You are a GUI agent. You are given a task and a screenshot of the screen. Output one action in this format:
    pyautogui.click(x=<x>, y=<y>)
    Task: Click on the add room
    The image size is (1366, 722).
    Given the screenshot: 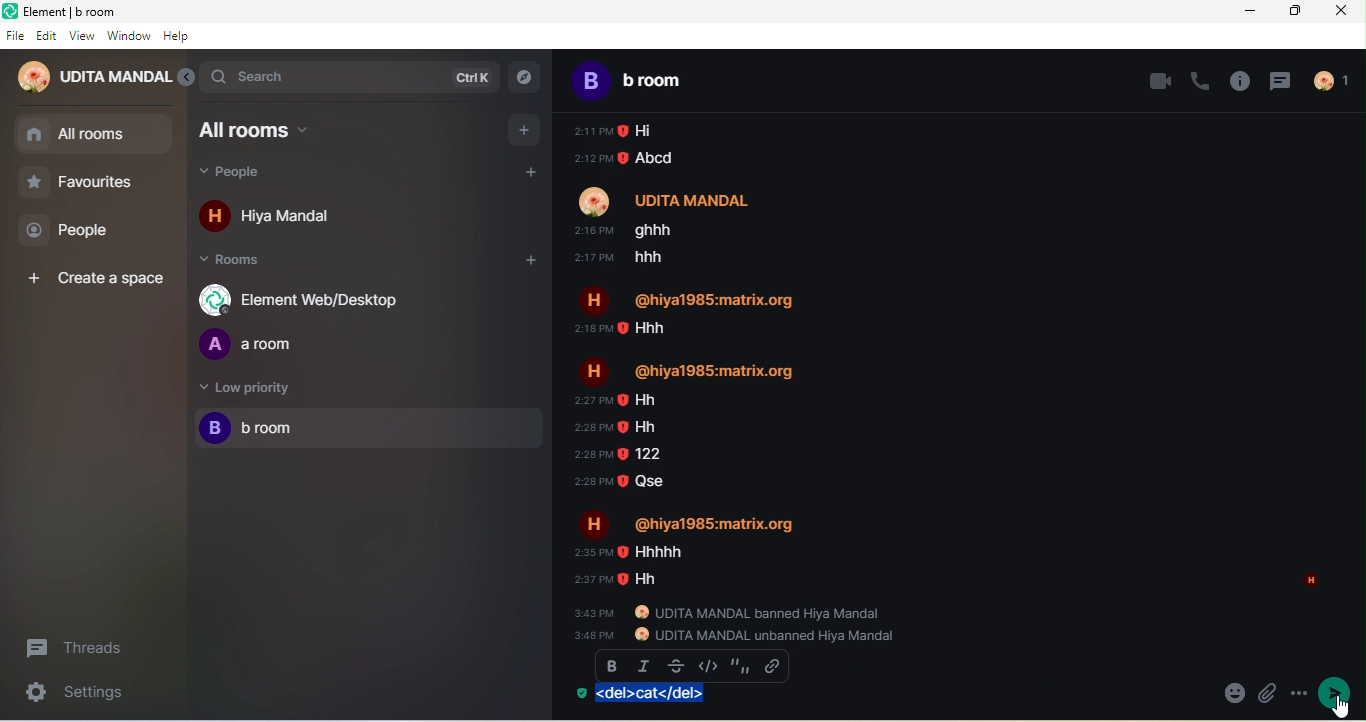 What is the action you would take?
    pyautogui.click(x=519, y=264)
    